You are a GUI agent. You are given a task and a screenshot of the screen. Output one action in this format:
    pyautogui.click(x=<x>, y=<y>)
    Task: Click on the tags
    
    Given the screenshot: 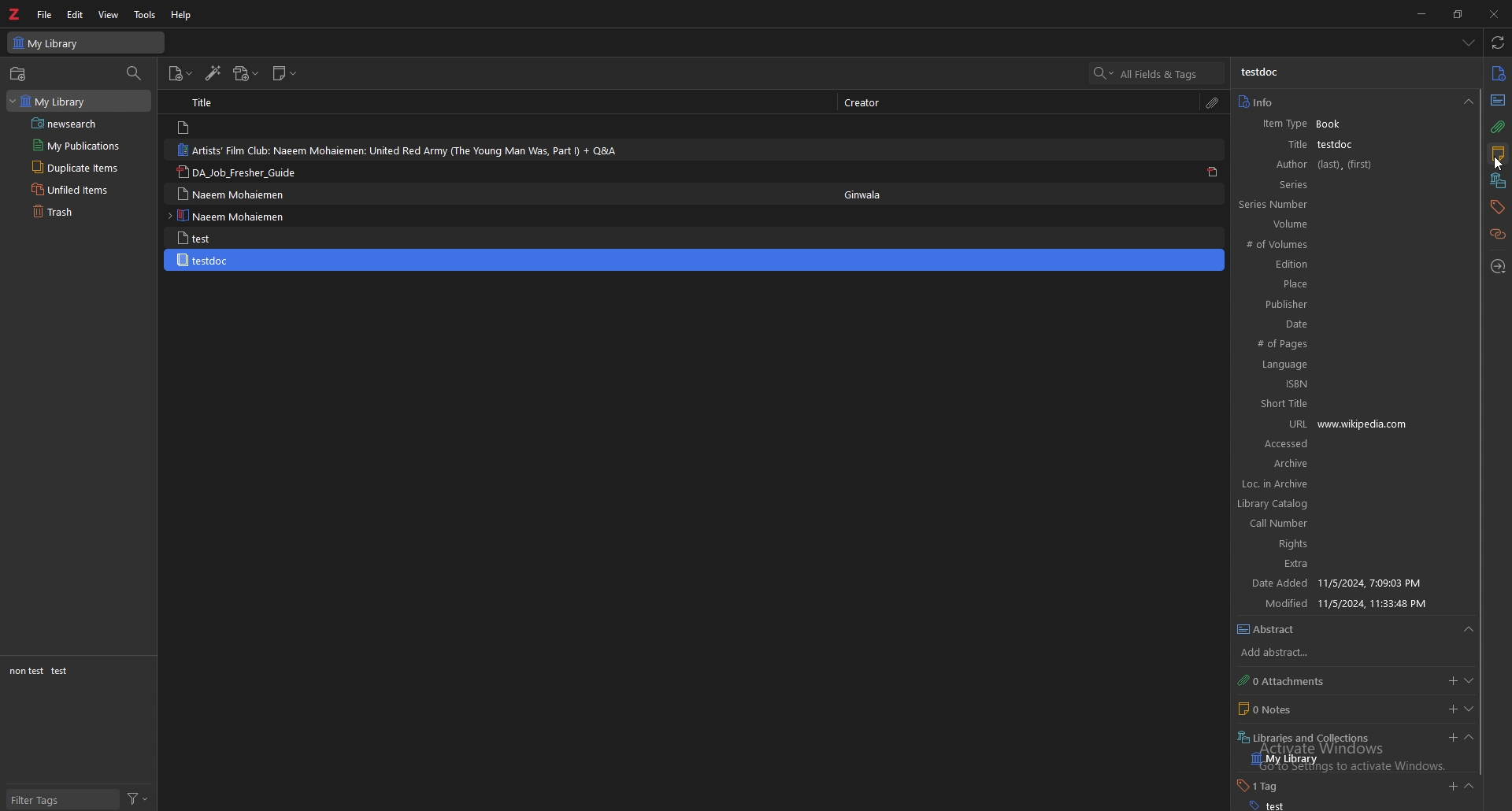 What is the action you would take?
    pyautogui.click(x=1498, y=206)
    